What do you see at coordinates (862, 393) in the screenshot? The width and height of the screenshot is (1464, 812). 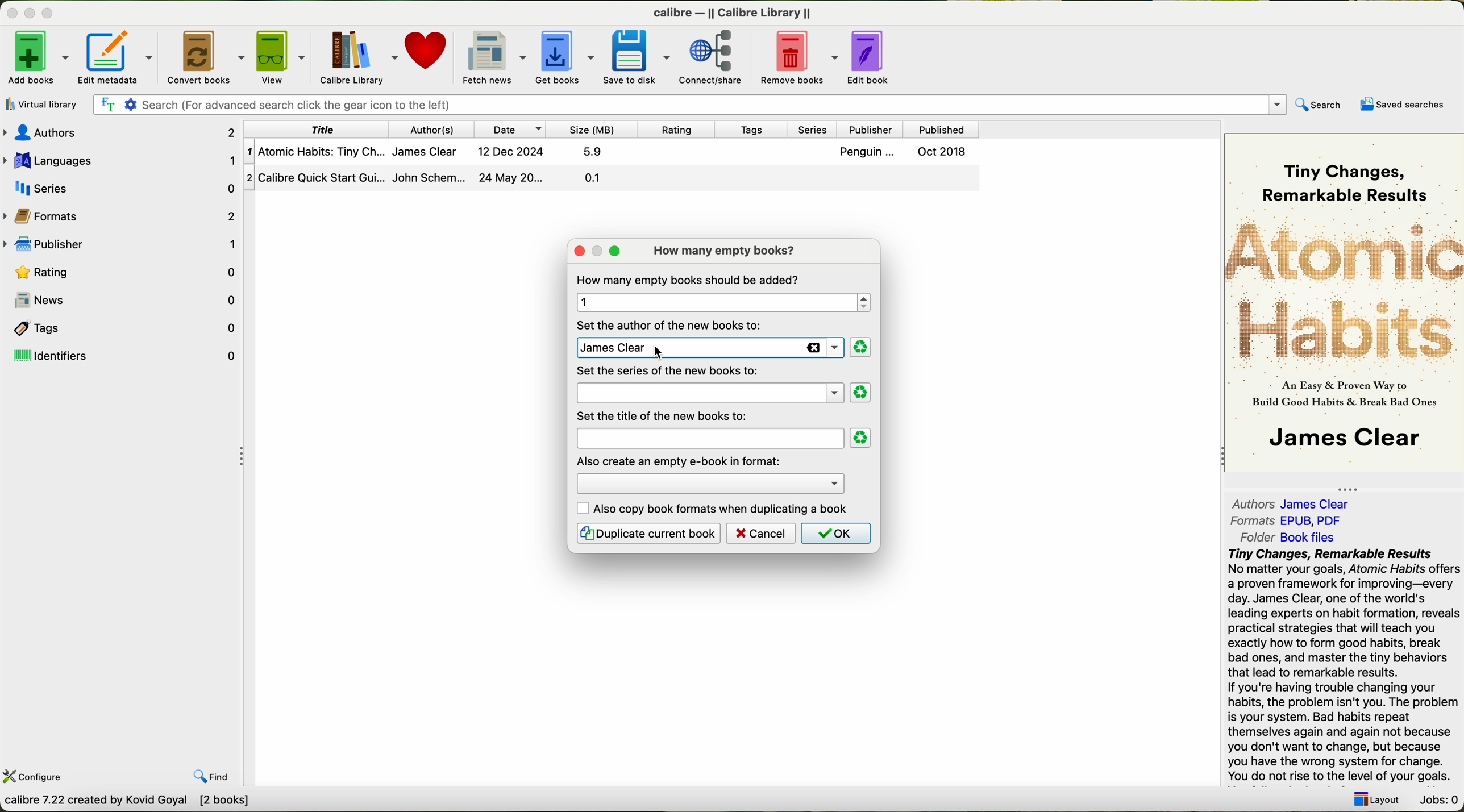 I see `clear` at bounding box center [862, 393].